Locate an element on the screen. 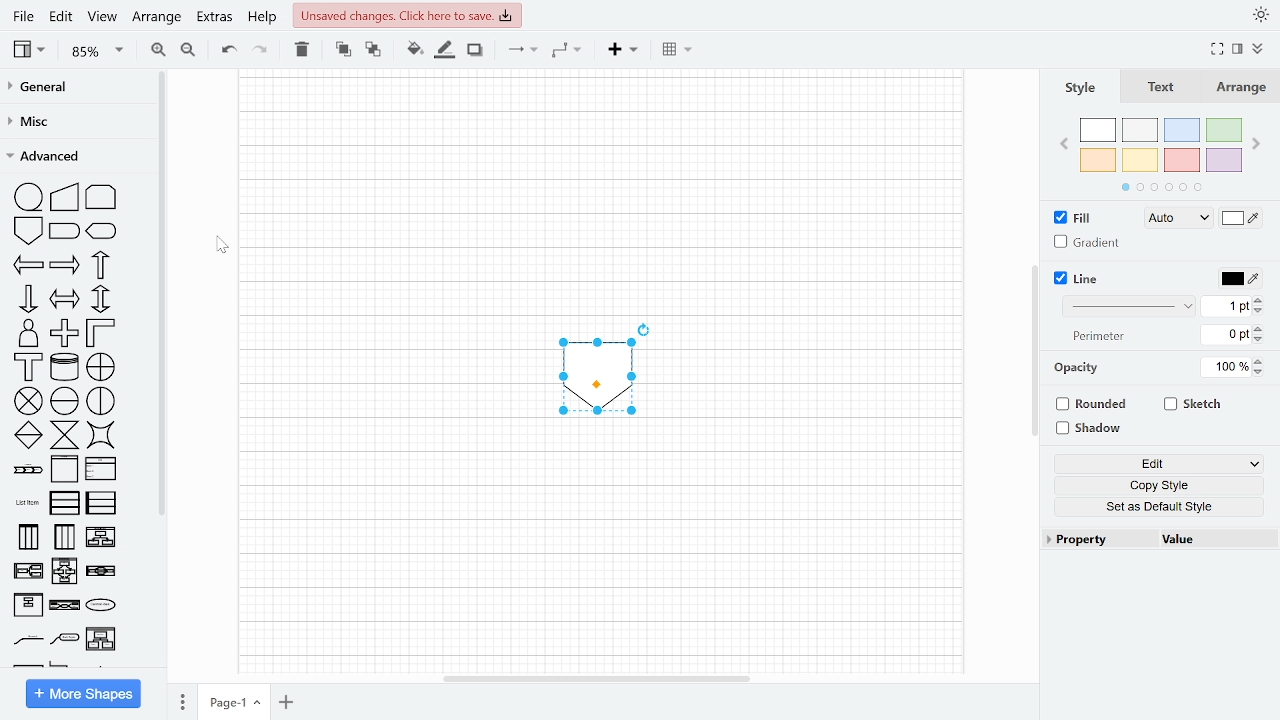 This screenshot has width=1280, height=720. Rounded is located at coordinates (1090, 405).